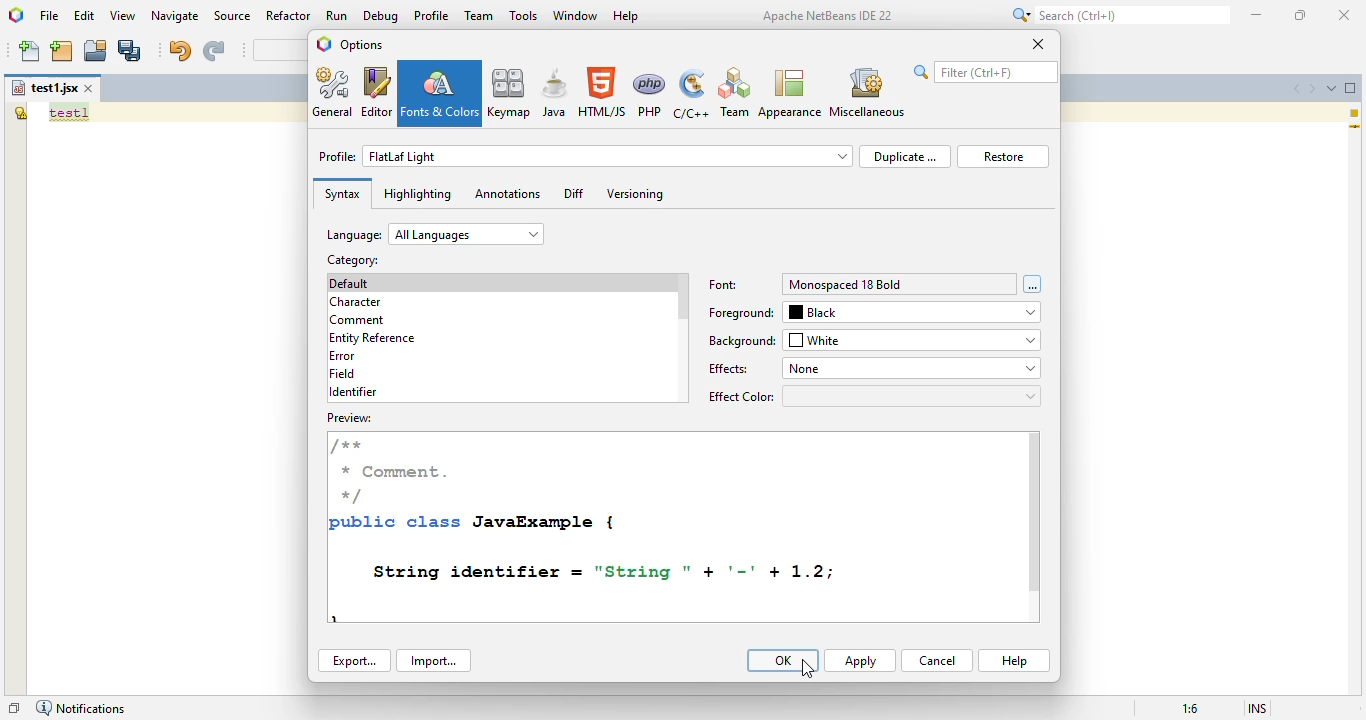 Image resolution: width=1366 pixels, height=720 pixels. What do you see at coordinates (986, 72) in the screenshot?
I see `search` at bounding box center [986, 72].